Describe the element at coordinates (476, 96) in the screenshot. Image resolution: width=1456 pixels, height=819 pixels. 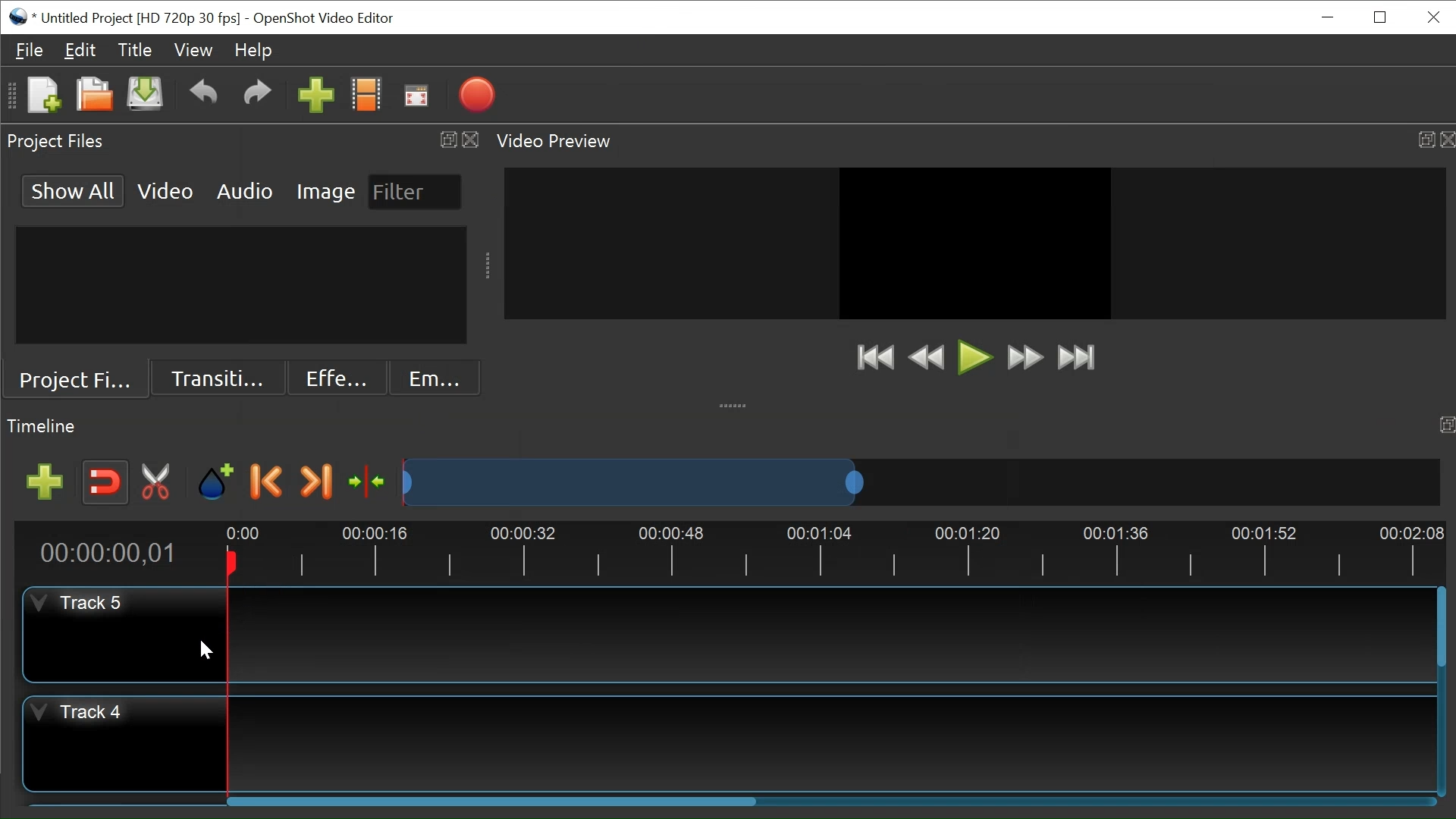
I see `Export Video` at that location.